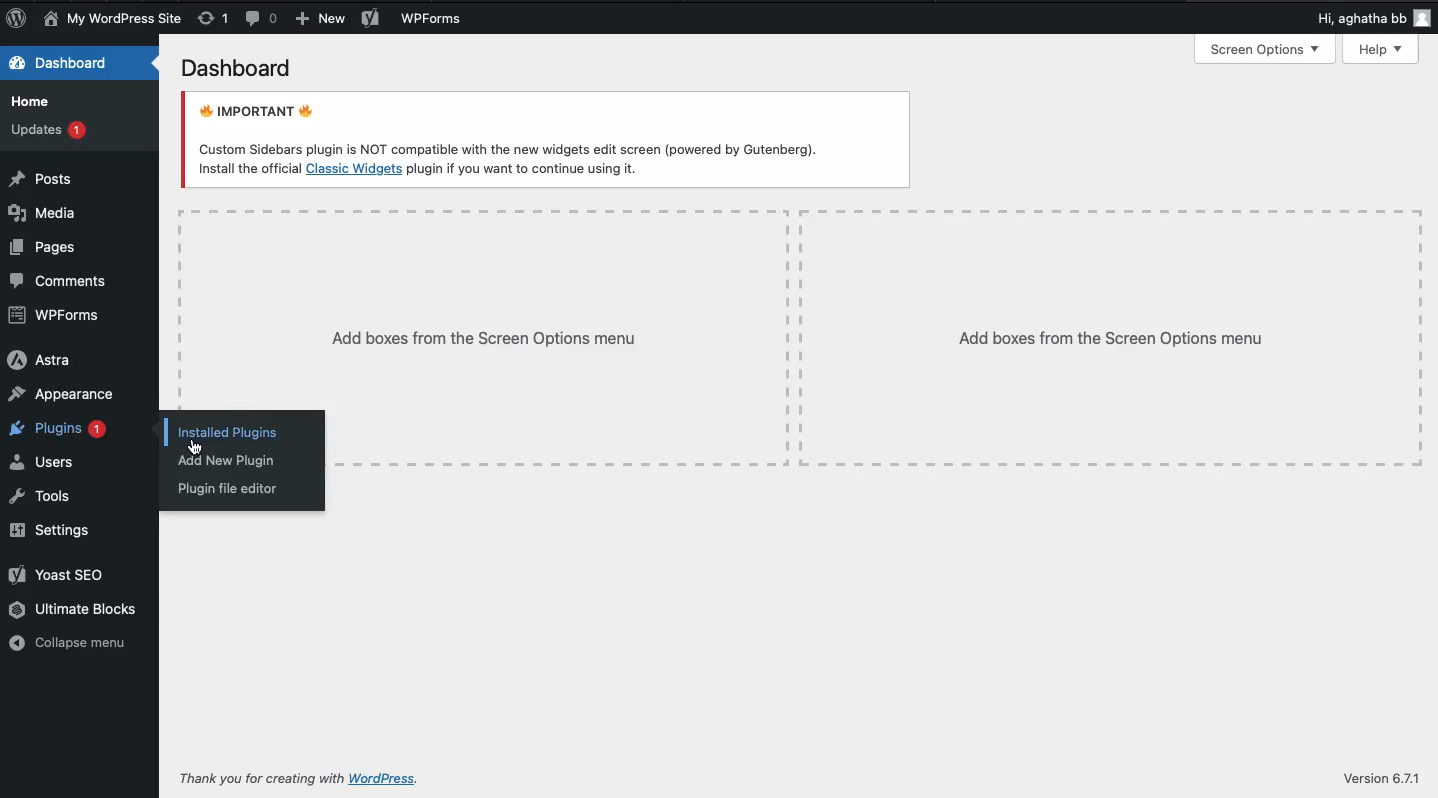 This screenshot has width=1438, height=798. I want to click on Screen options , so click(1266, 50).